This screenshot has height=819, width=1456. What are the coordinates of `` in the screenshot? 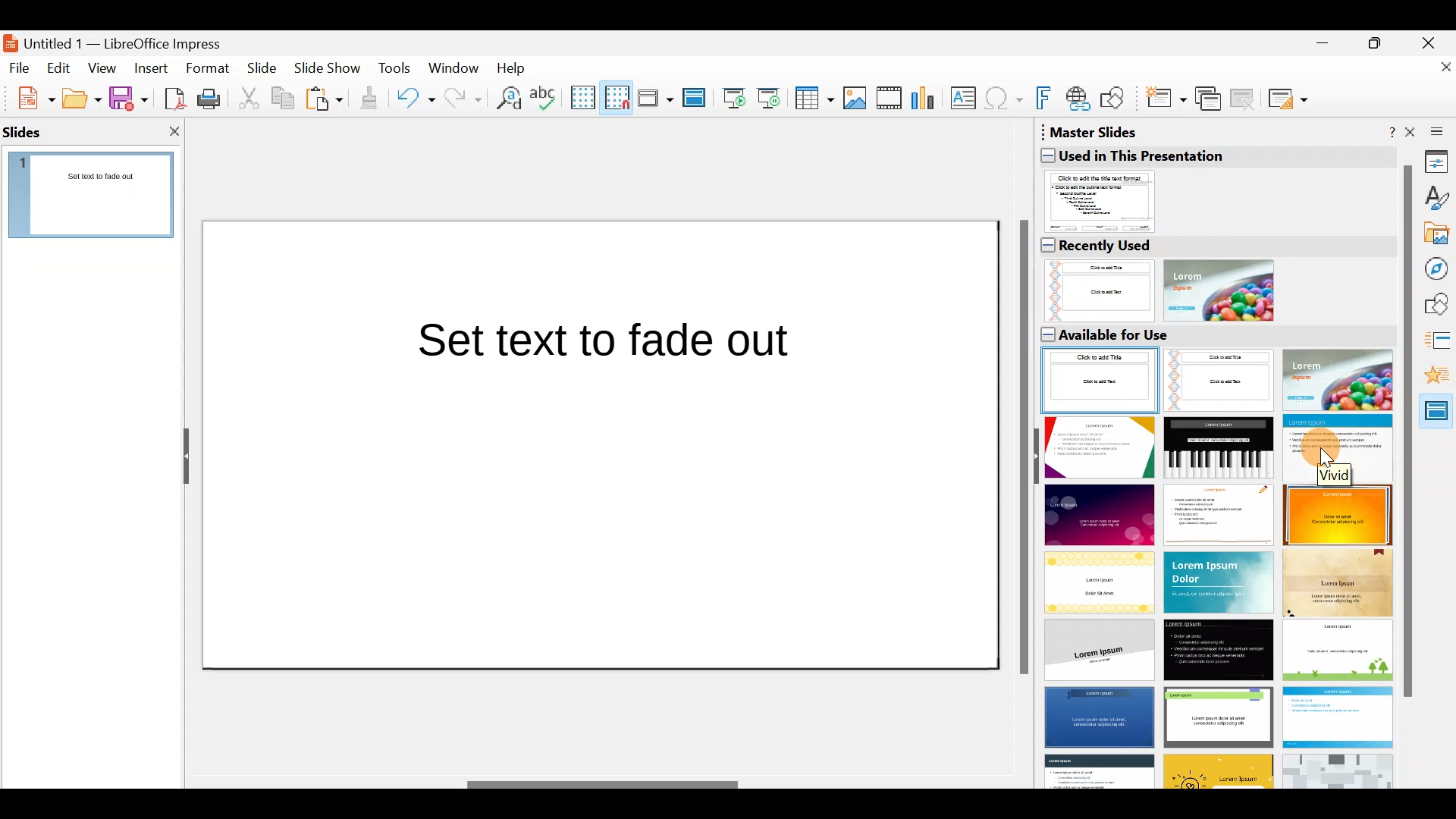 It's located at (174, 457).